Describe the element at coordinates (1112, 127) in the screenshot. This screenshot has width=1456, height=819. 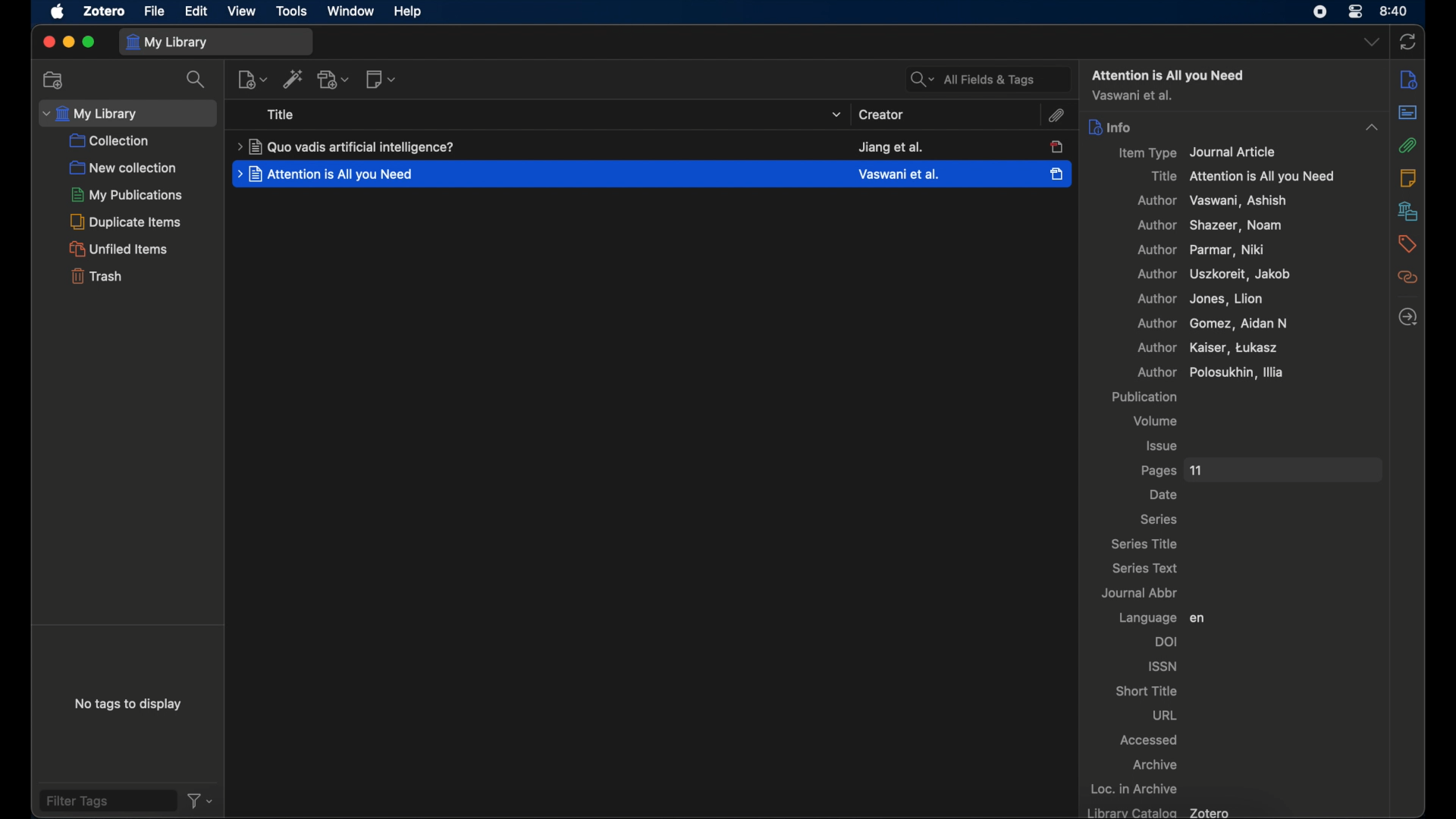
I see `info` at that location.